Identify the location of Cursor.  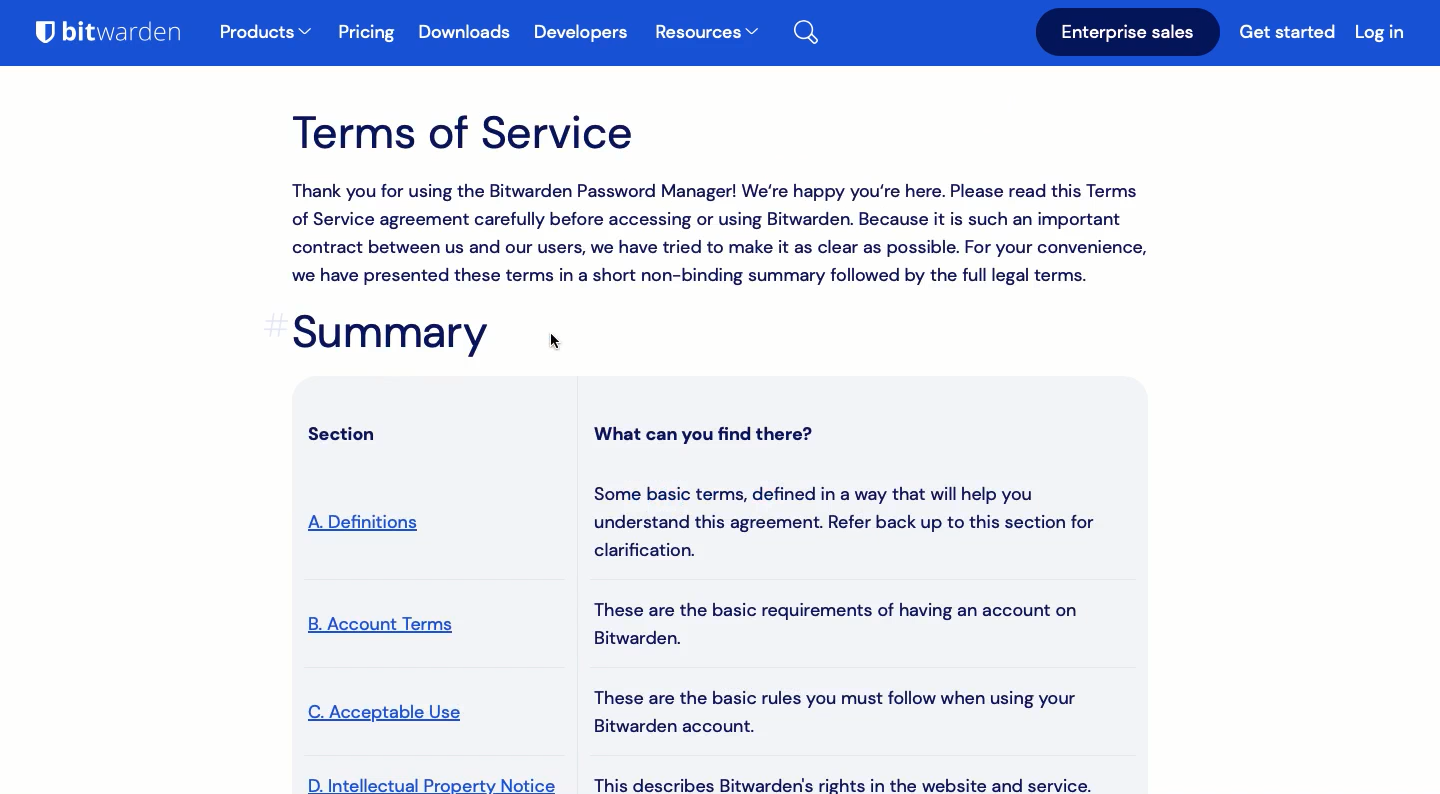
(562, 344).